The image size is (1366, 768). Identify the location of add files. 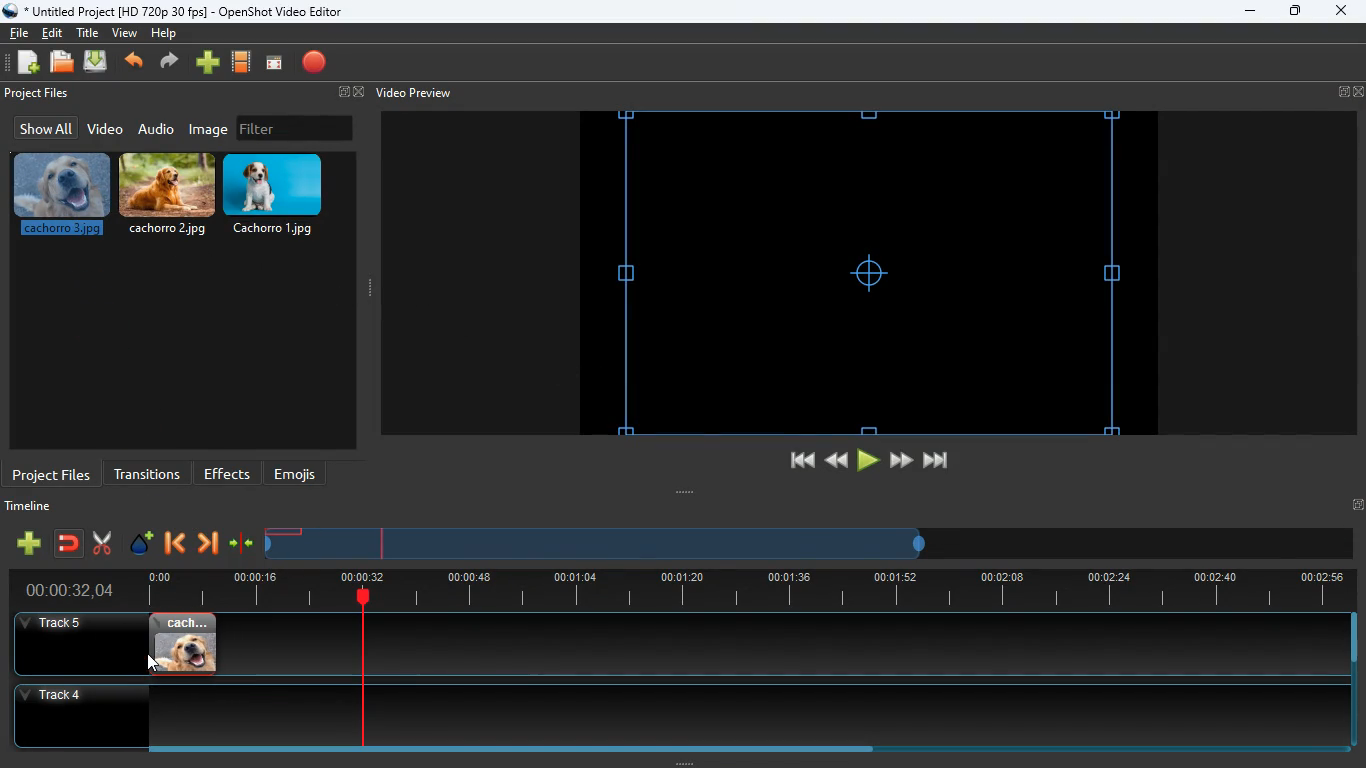
(30, 65).